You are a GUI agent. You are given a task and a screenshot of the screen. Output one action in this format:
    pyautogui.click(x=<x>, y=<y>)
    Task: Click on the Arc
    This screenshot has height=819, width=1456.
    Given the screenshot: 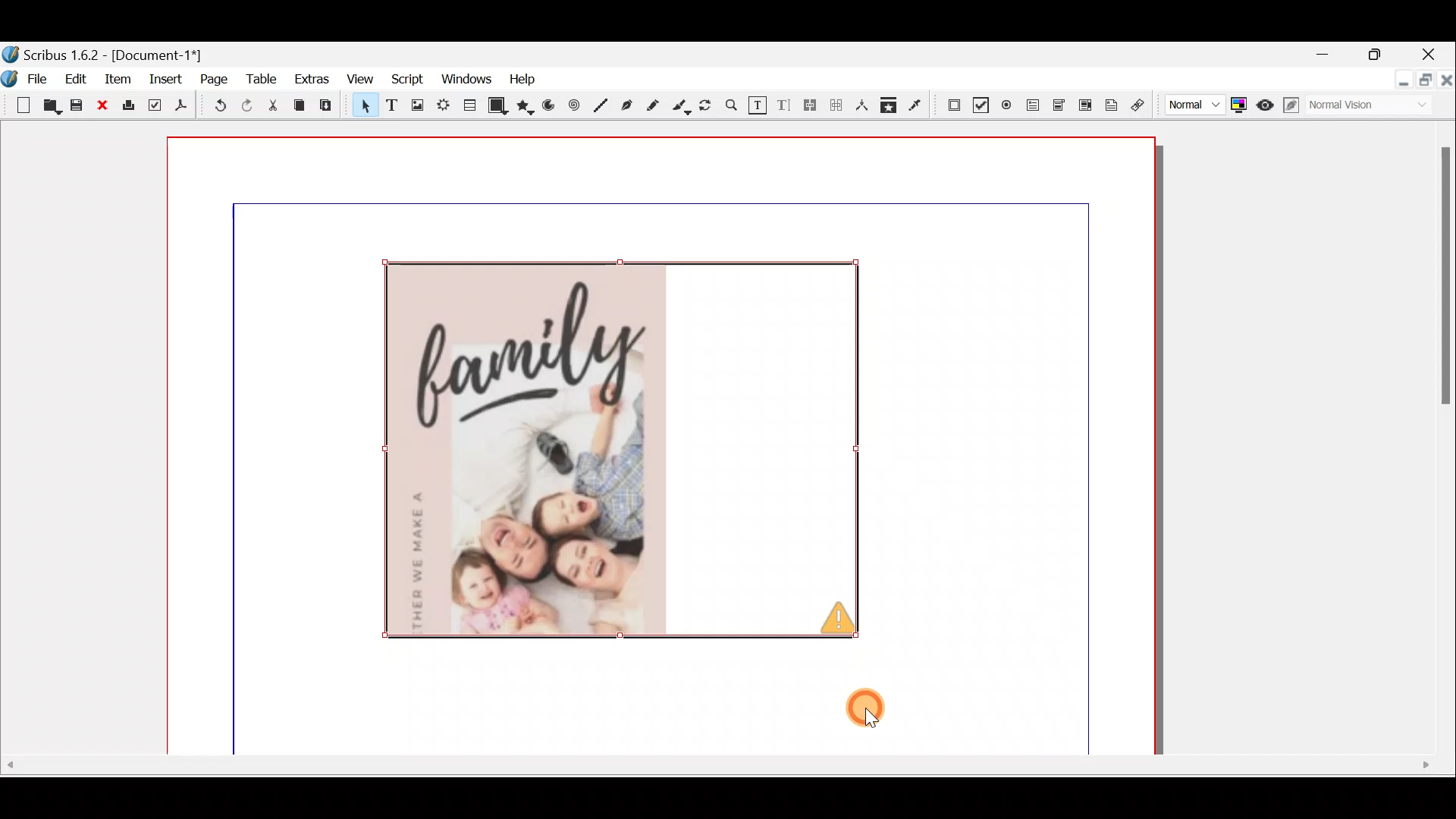 What is the action you would take?
    pyautogui.click(x=551, y=108)
    